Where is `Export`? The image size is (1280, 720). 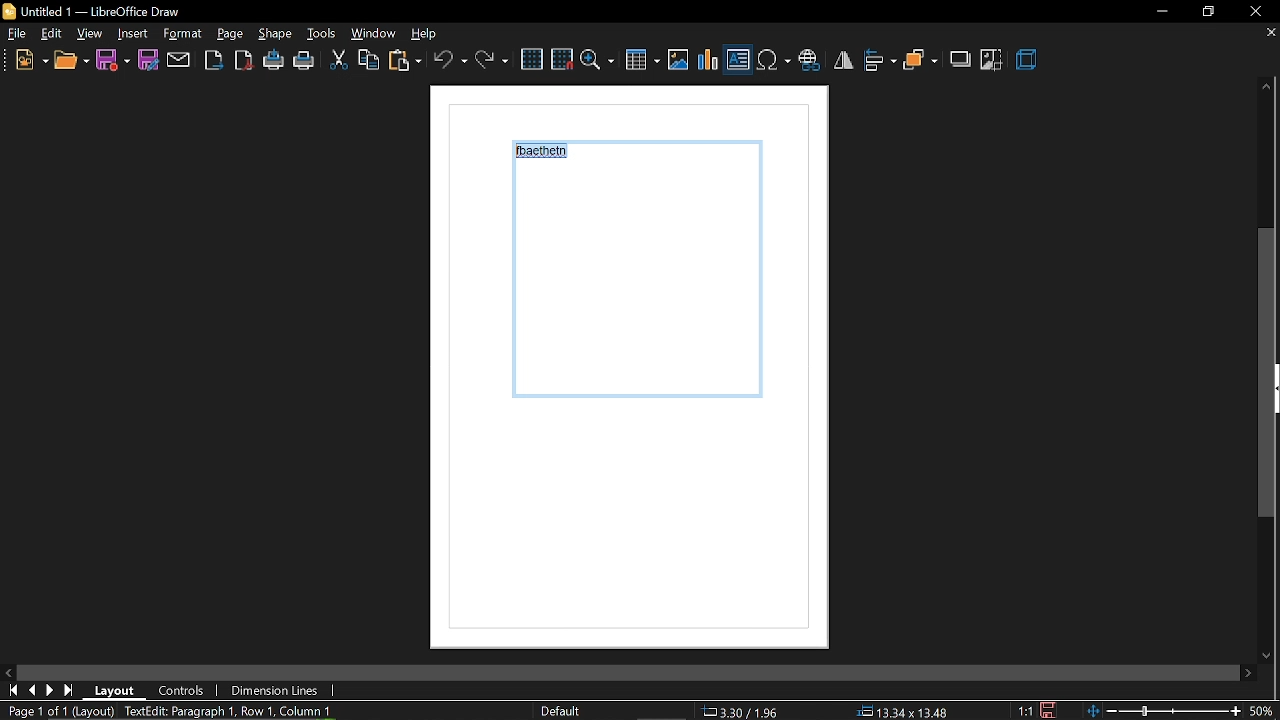
Export is located at coordinates (214, 59).